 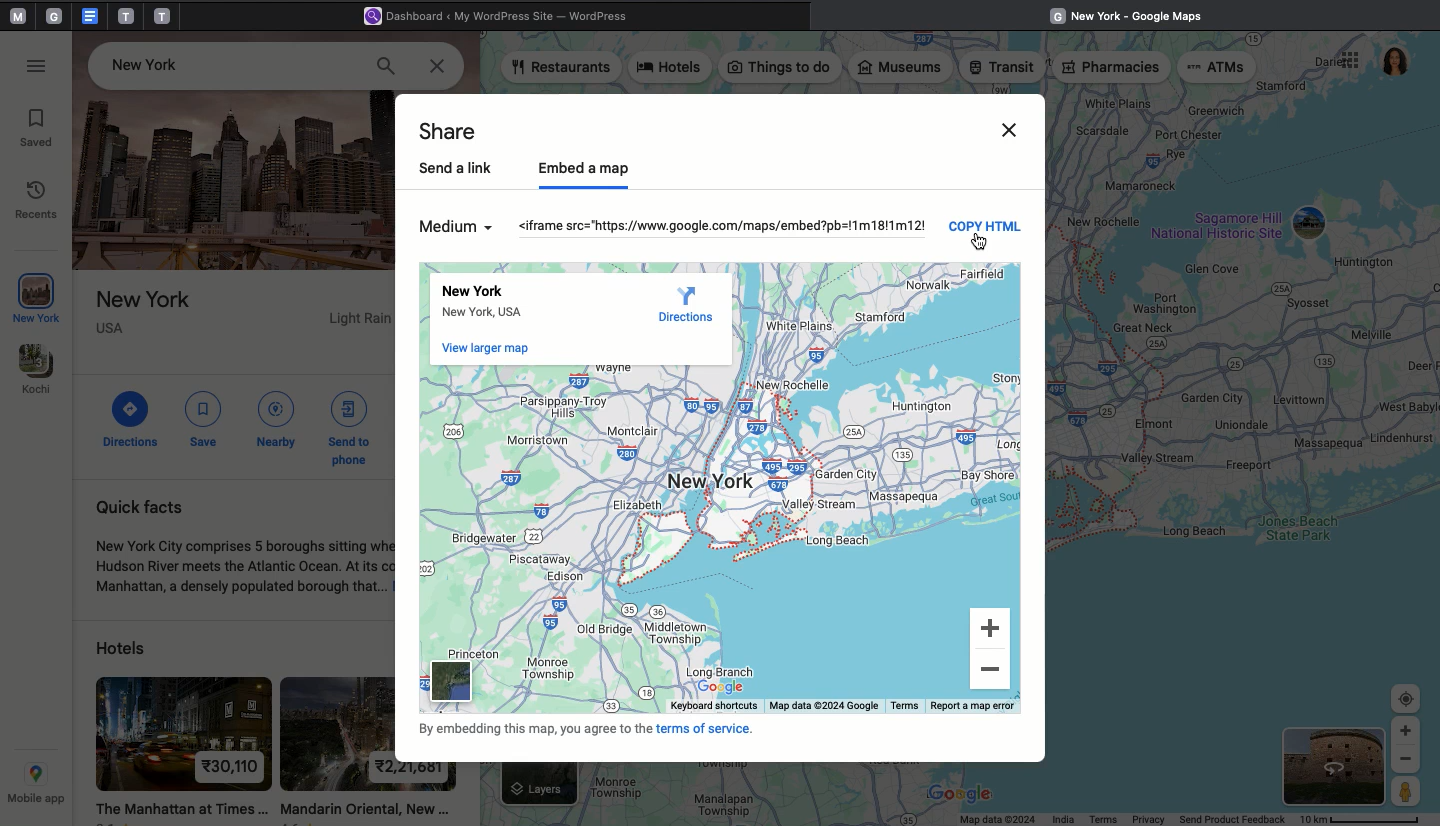 What do you see at coordinates (164, 15) in the screenshot?
I see `tab` at bounding box center [164, 15].